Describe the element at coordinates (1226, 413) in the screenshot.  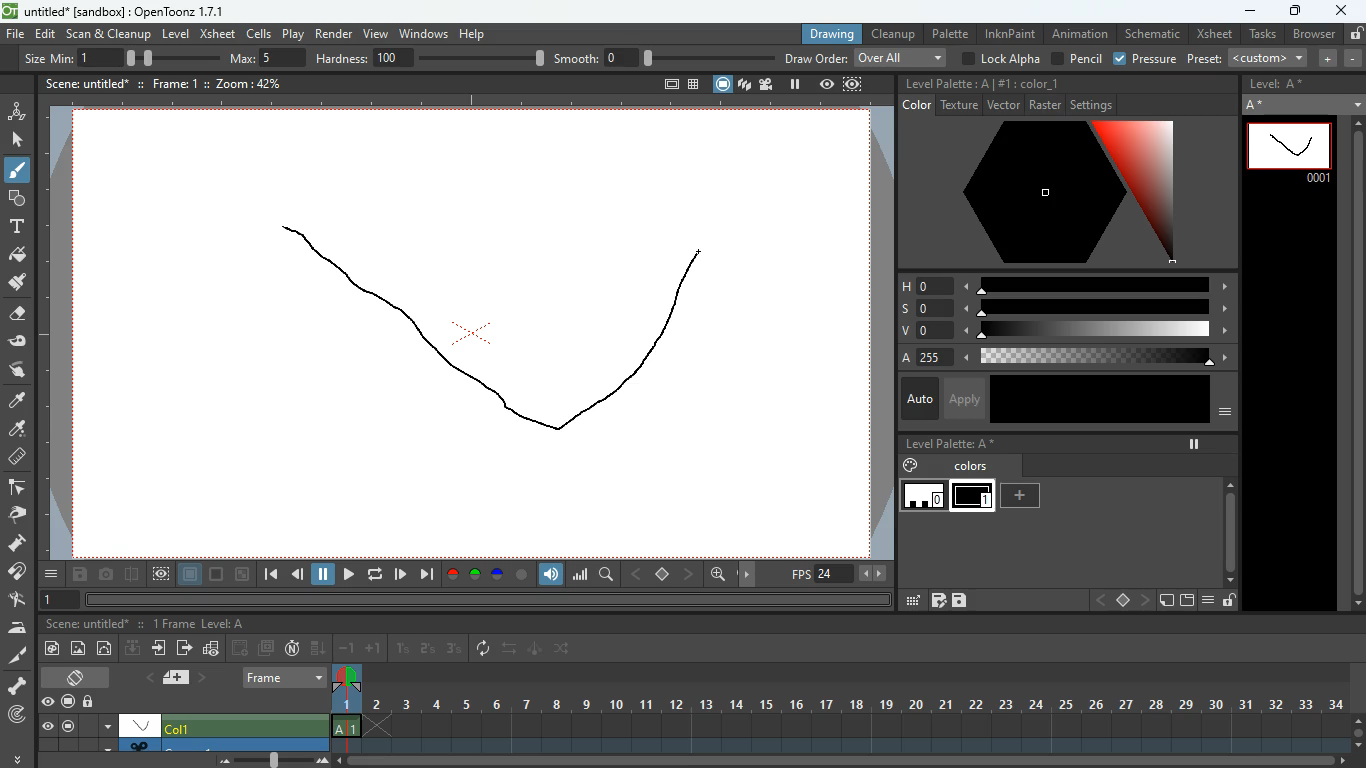
I see `menu` at that location.